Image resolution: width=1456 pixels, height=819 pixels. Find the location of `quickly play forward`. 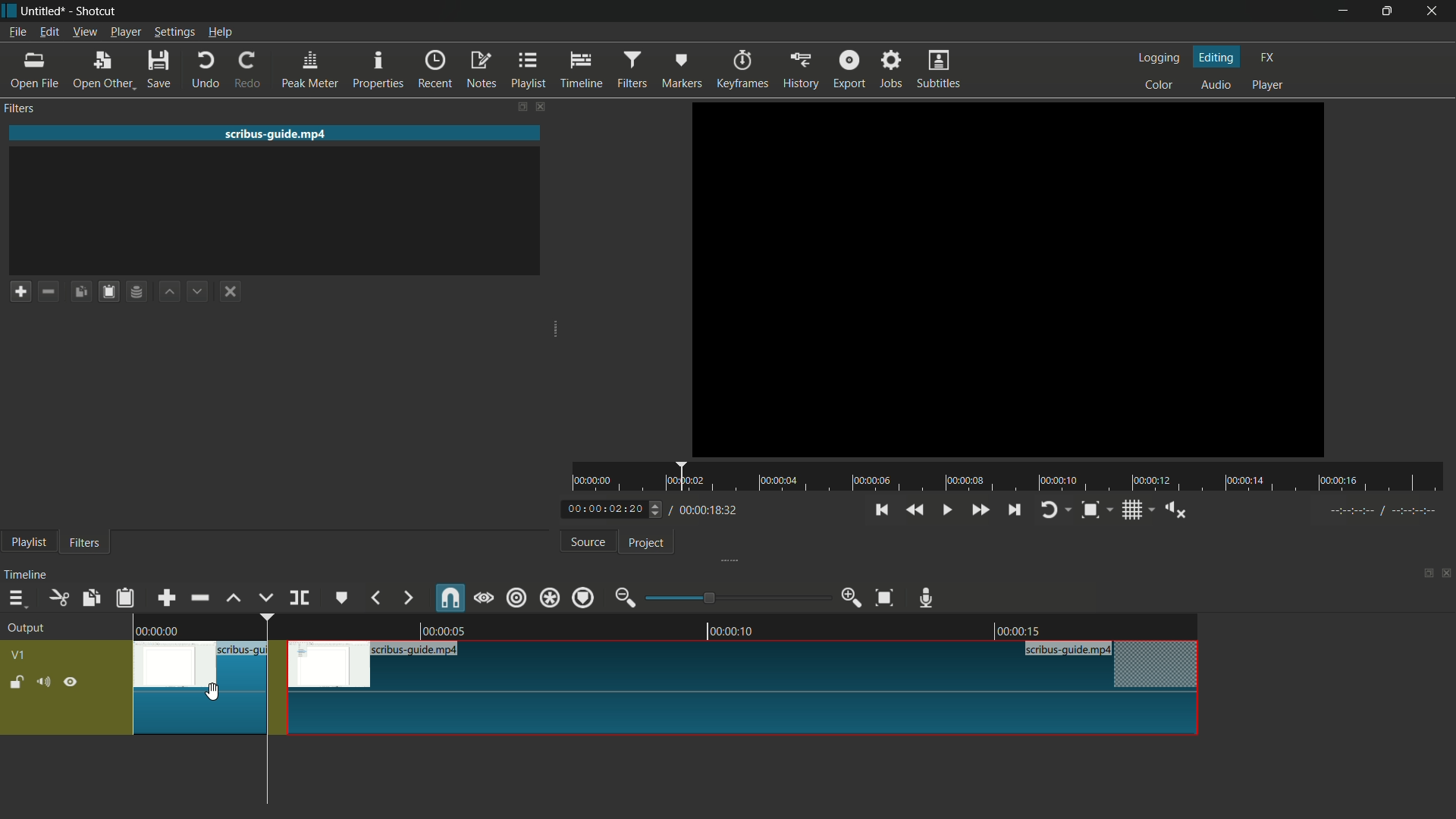

quickly play forward is located at coordinates (981, 510).